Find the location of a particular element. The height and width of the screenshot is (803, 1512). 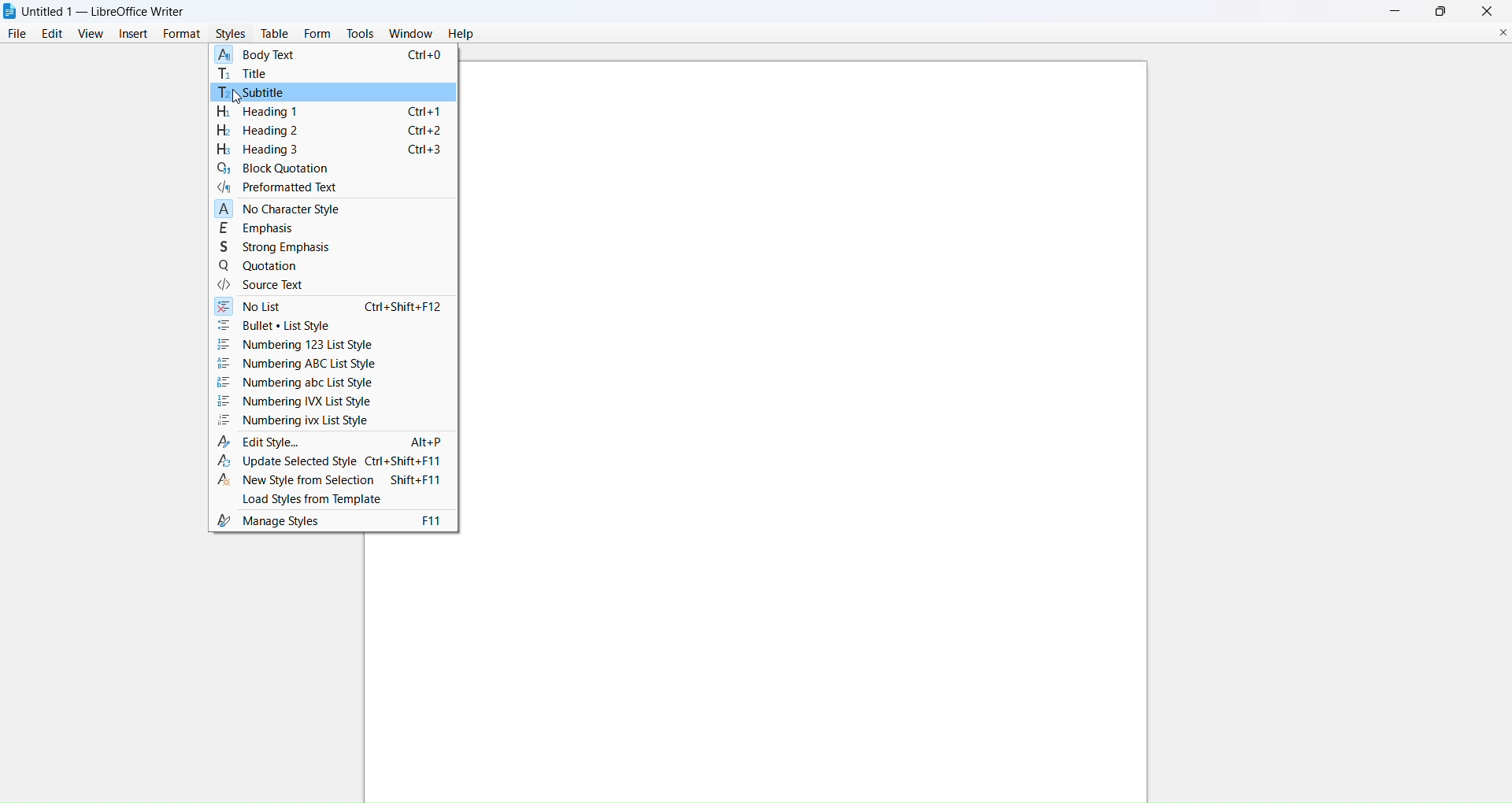

insert is located at coordinates (134, 32).